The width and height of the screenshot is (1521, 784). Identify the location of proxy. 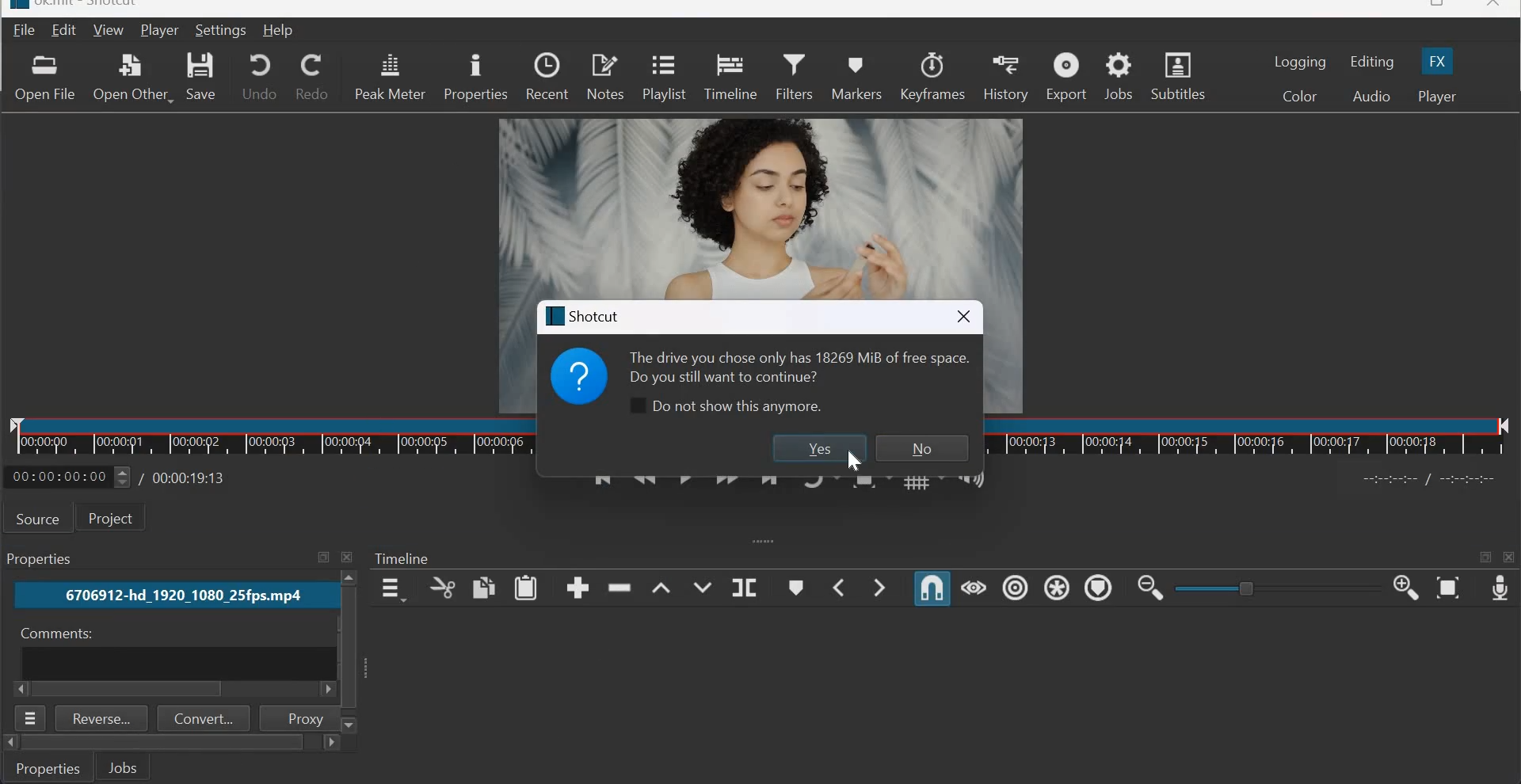
(297, 717).